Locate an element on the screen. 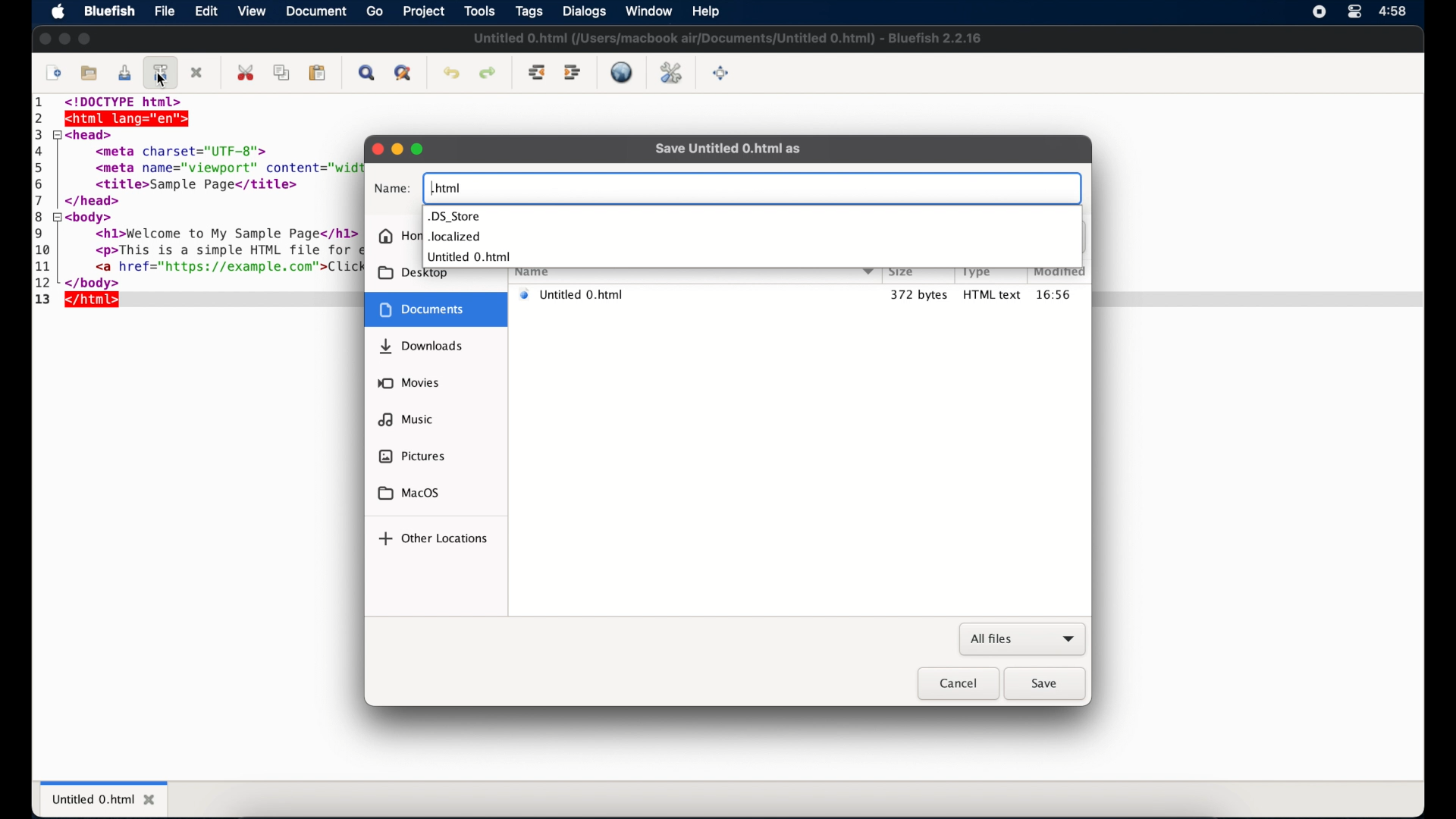  file is located at coordinates (165, 11).